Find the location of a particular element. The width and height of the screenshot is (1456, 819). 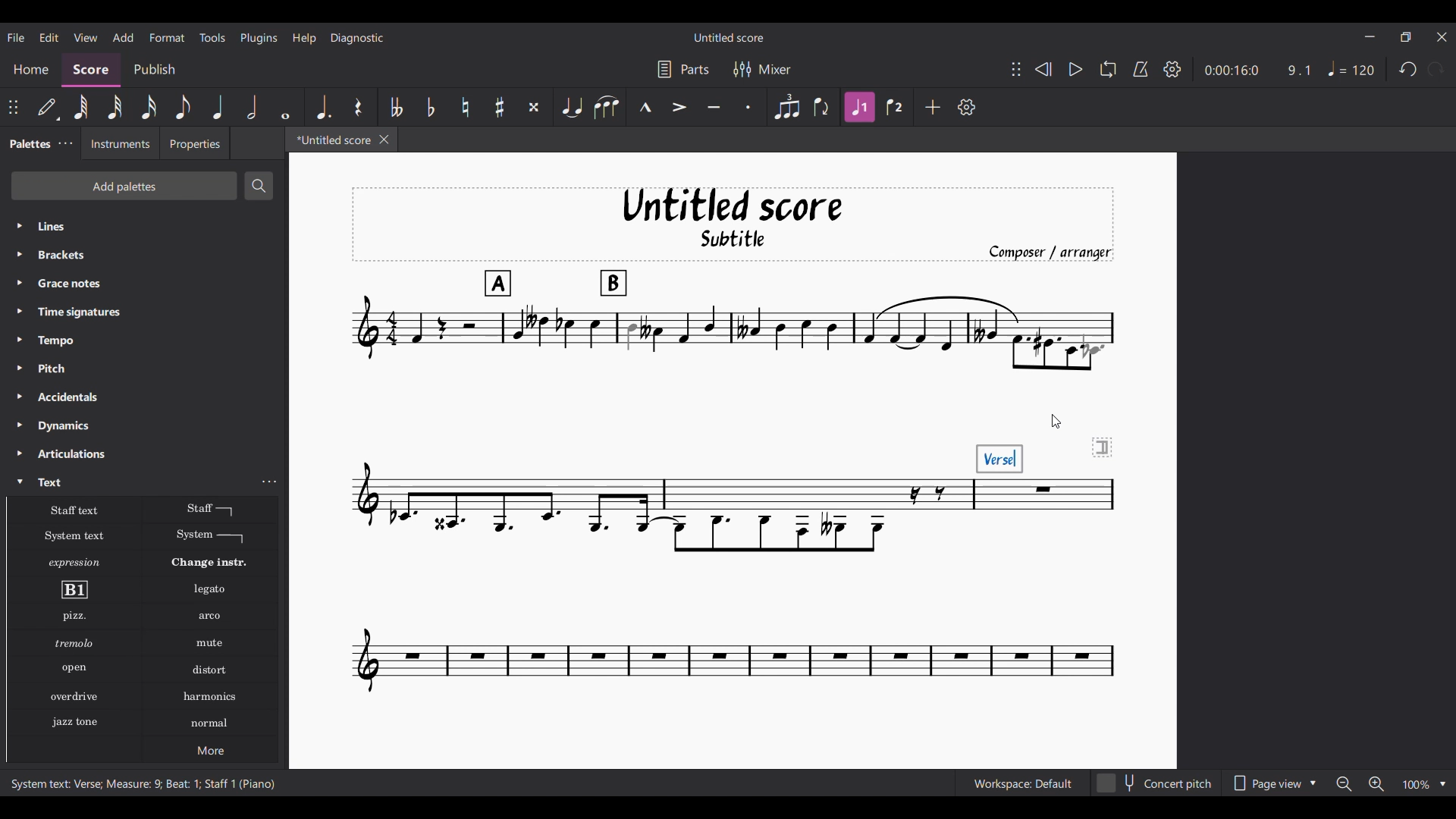

Redo is located at coordinates (1436, 69).